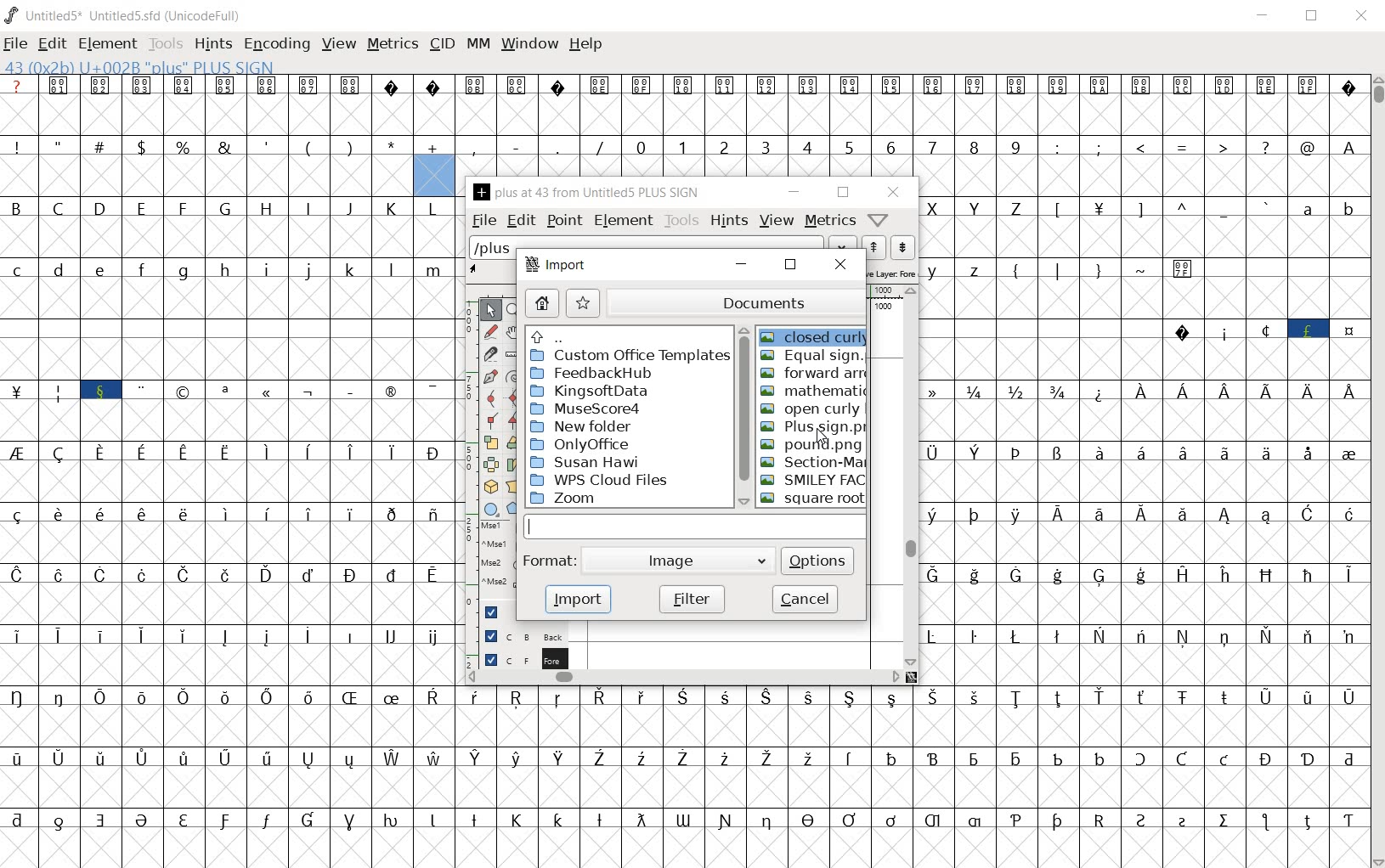  Describe the element at coordinates (939, 533) in the screenshot. I see `` at that location.